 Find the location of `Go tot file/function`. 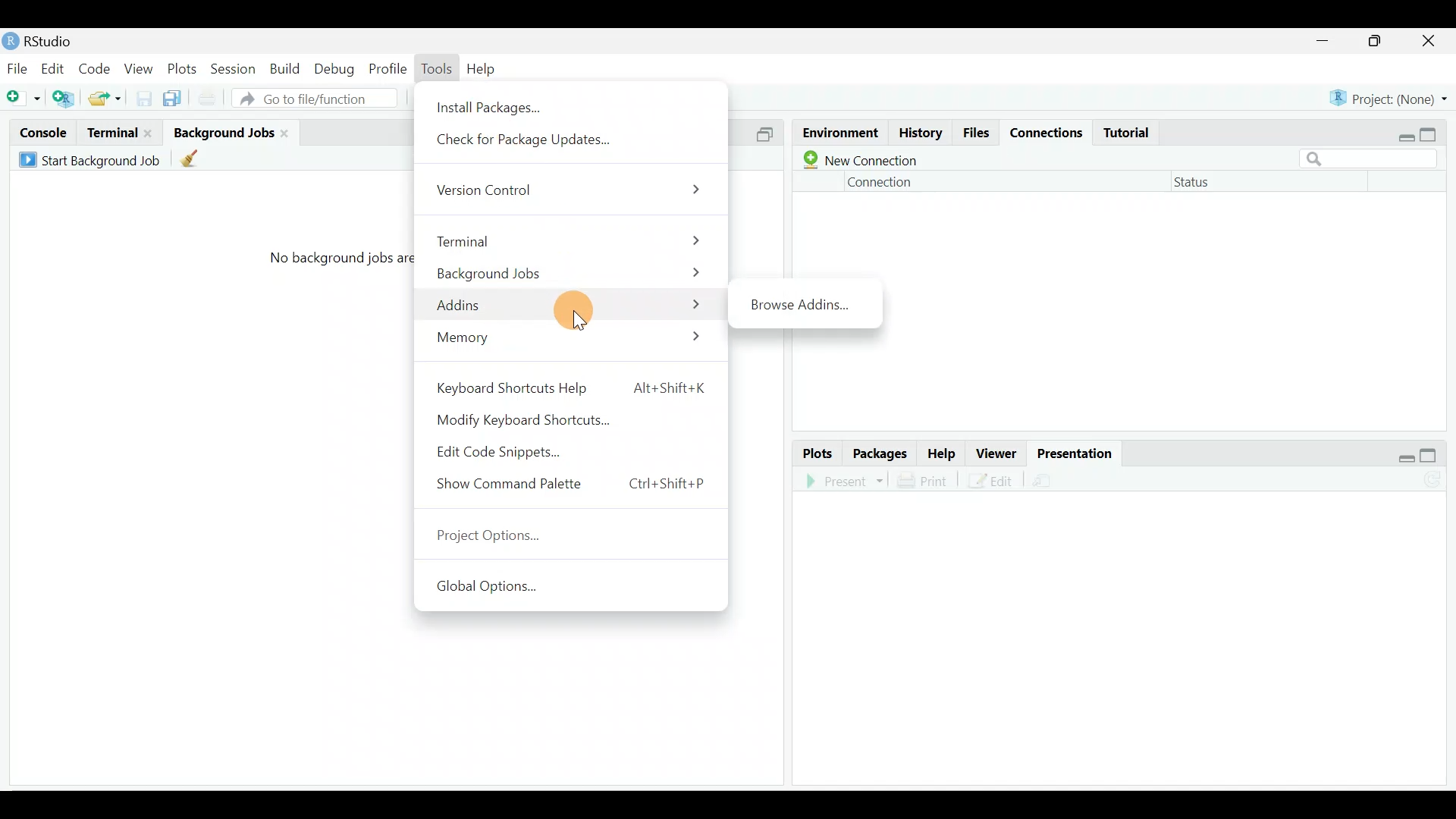

Go tot file/function is located at coordinates (319, 99).